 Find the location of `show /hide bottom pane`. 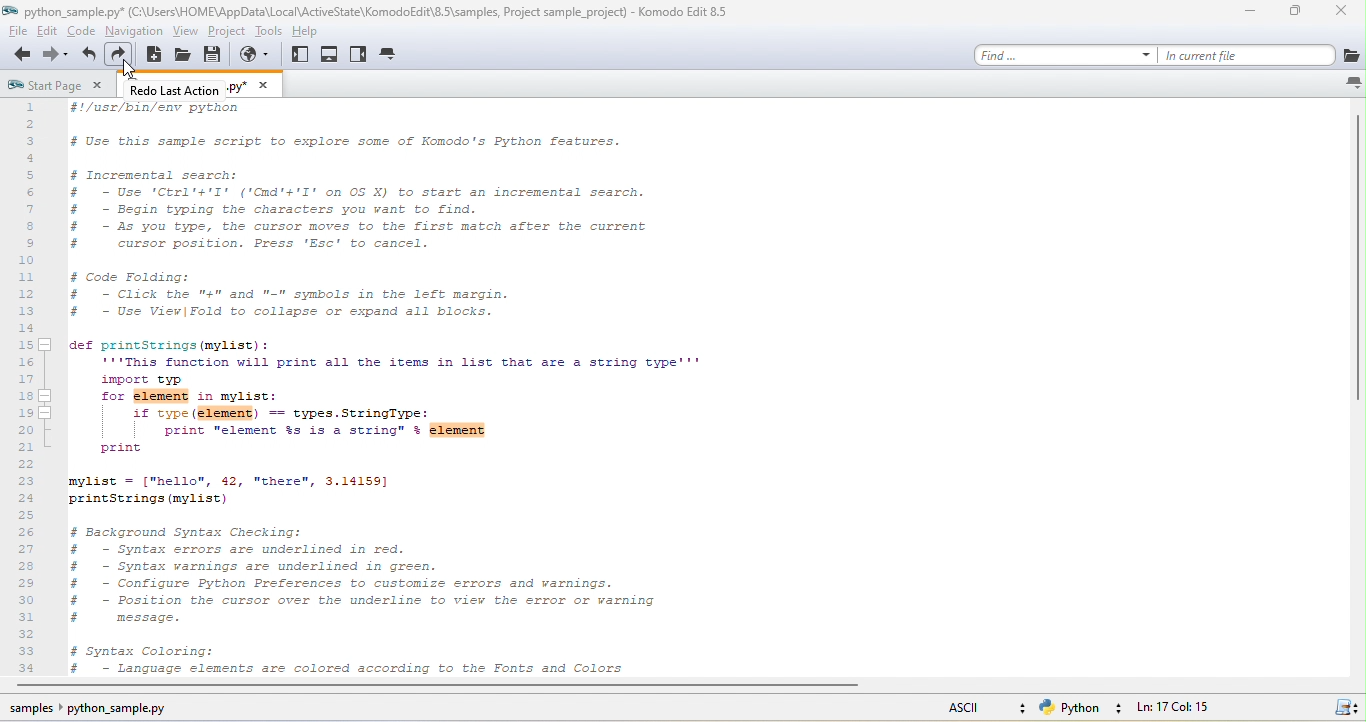

show /hide bottom pane is located at coordinates (332, 55).